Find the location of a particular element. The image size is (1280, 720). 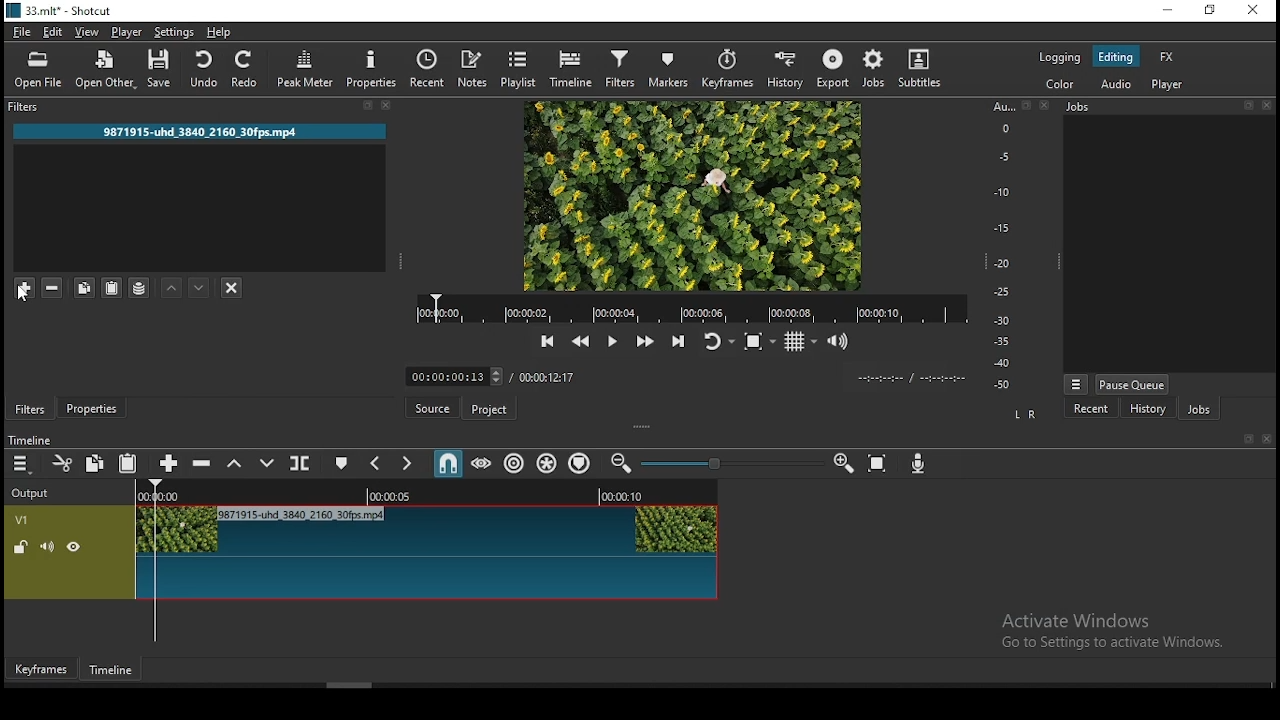

timeline is located at coordinates (111, 673).